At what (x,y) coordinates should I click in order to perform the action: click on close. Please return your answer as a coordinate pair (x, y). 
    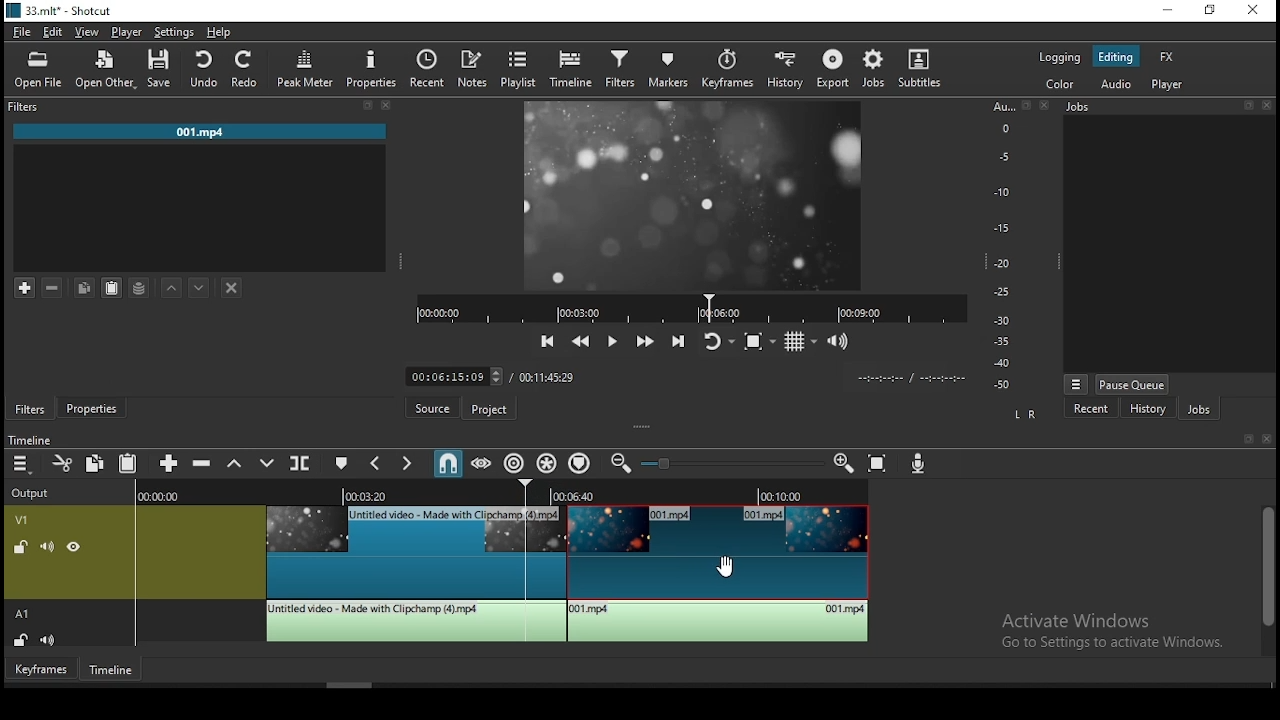
    Looking at the image, I should click on (1269, 440).